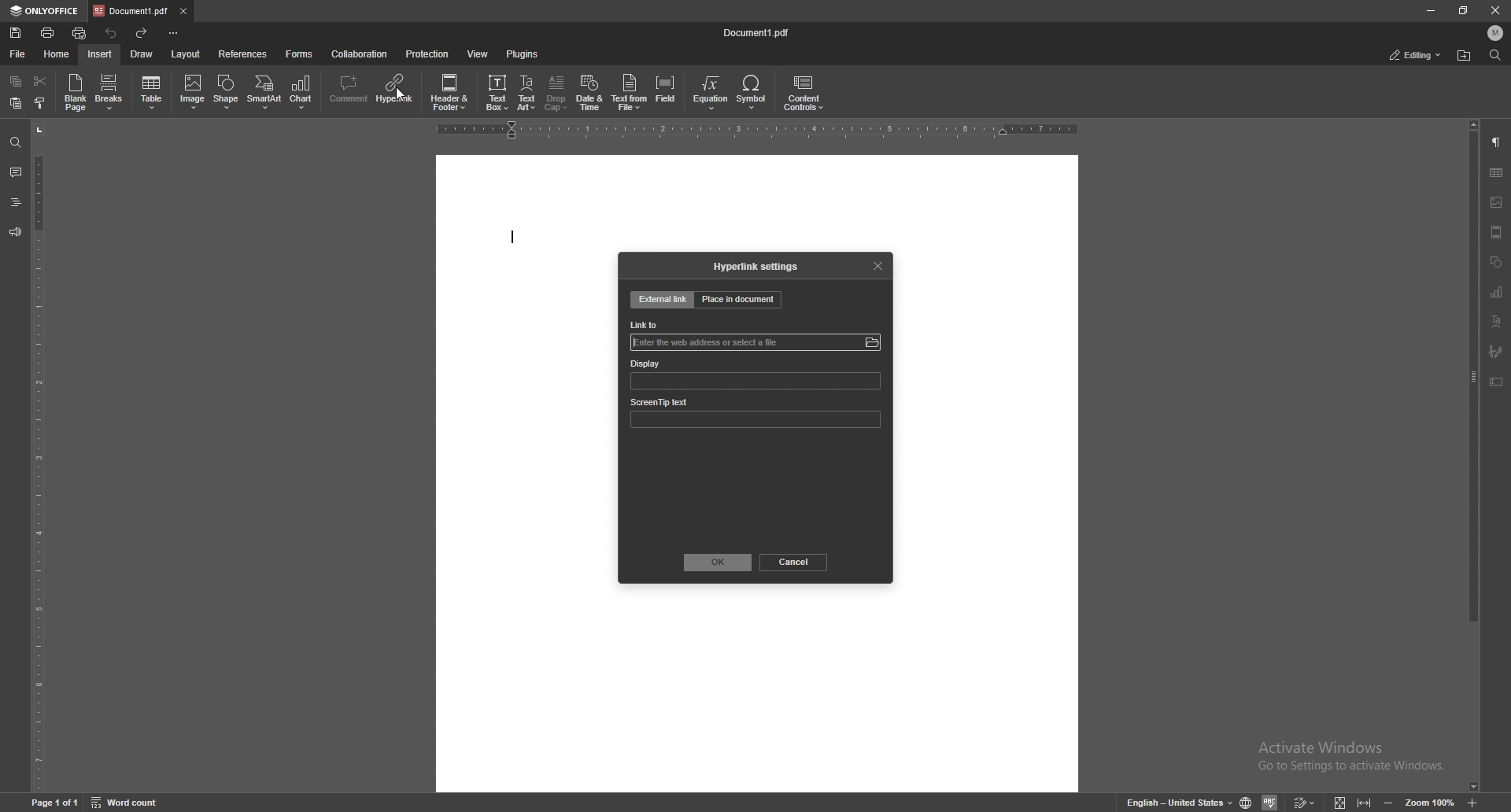 Image resolution: width=1511 pixels, height=812 pixels. I want to click on shapes, so click(1495, 263).